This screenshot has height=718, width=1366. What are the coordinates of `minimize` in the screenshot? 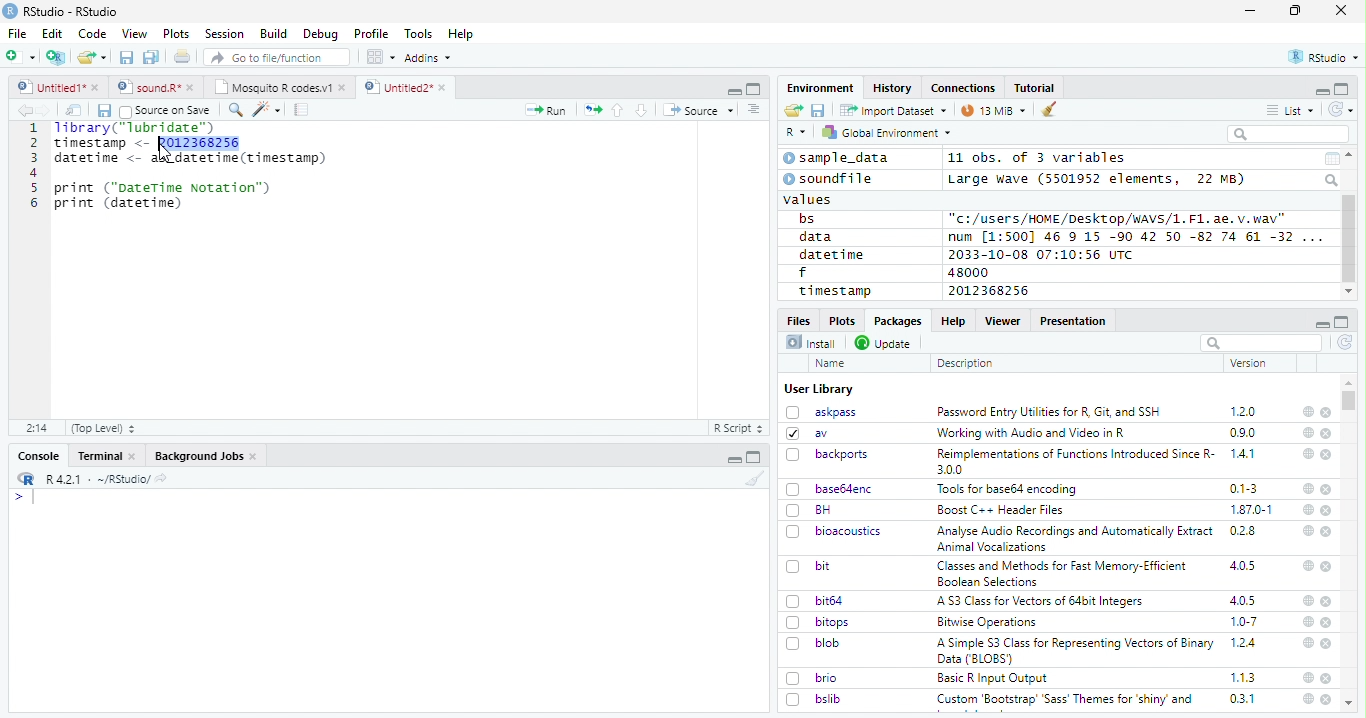 It's located at (736, 457).